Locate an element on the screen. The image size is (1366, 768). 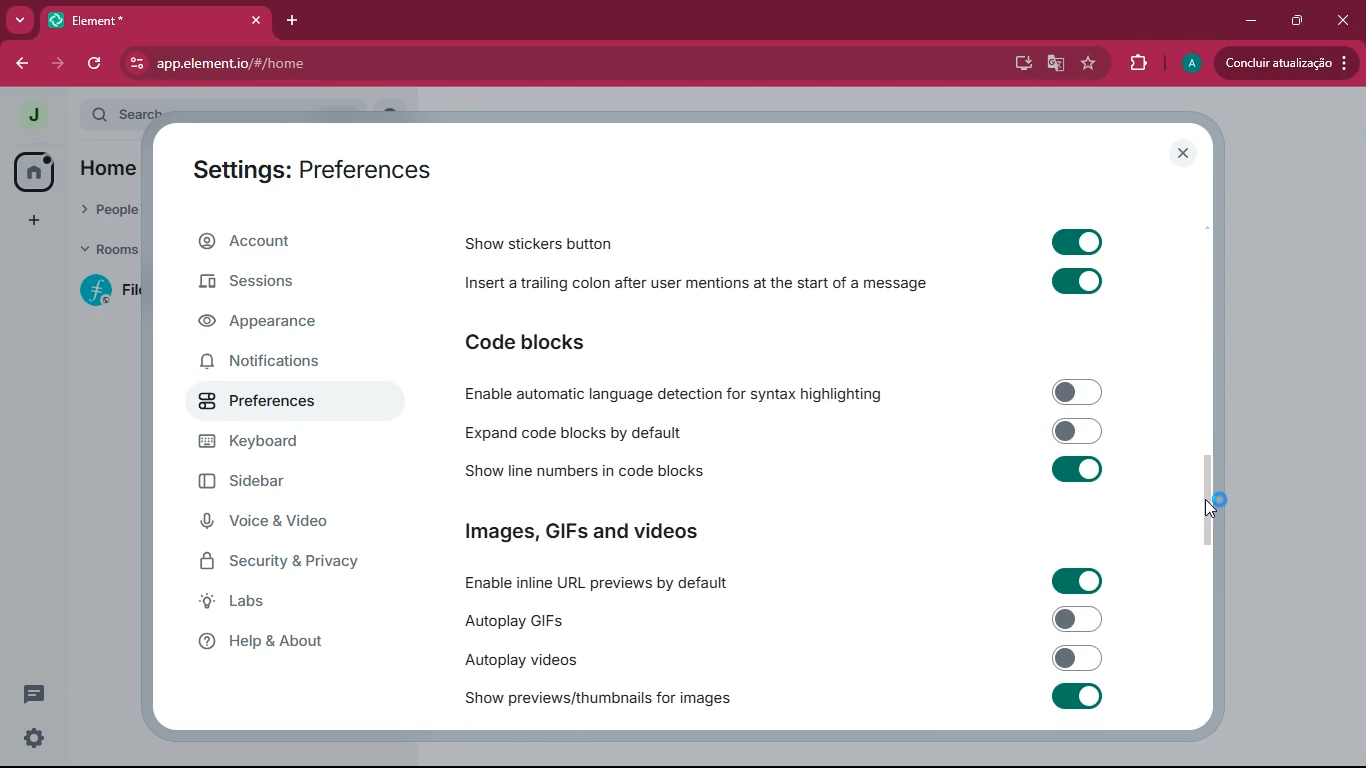
extensions is located at coordinates (1136, 65).